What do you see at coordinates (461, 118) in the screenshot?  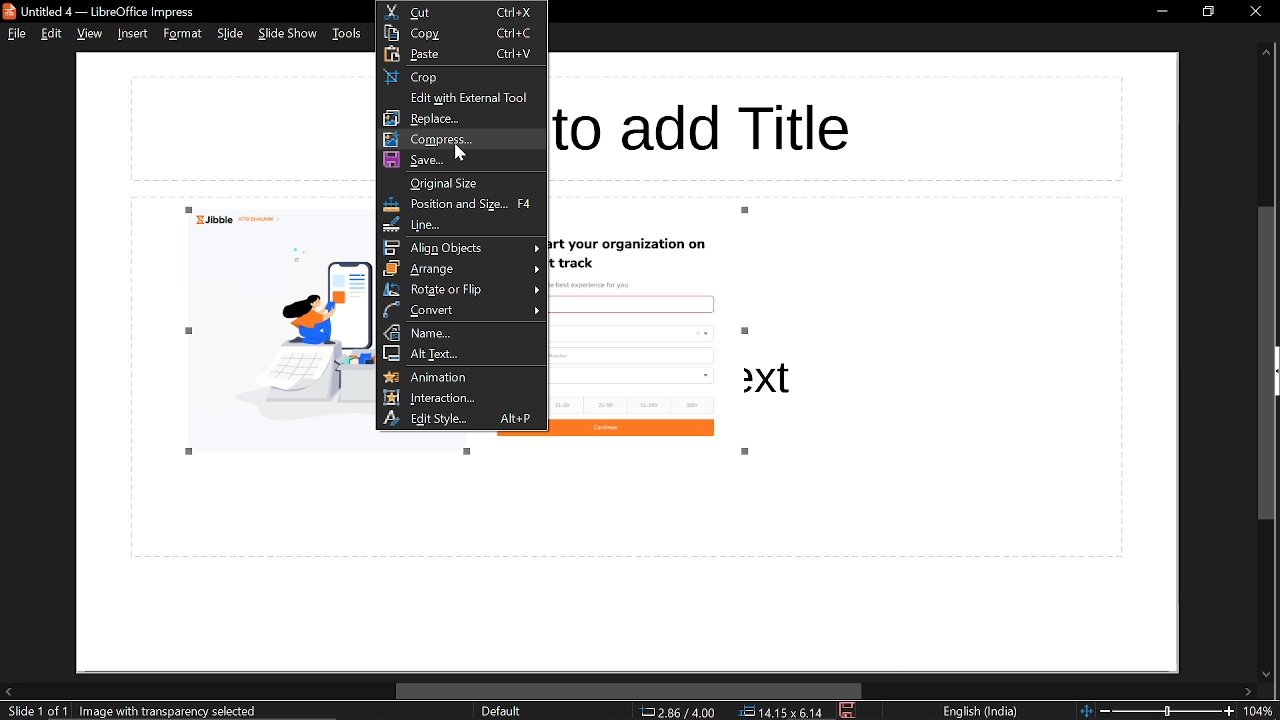 I see `replace` at bounding box center [461, 118].